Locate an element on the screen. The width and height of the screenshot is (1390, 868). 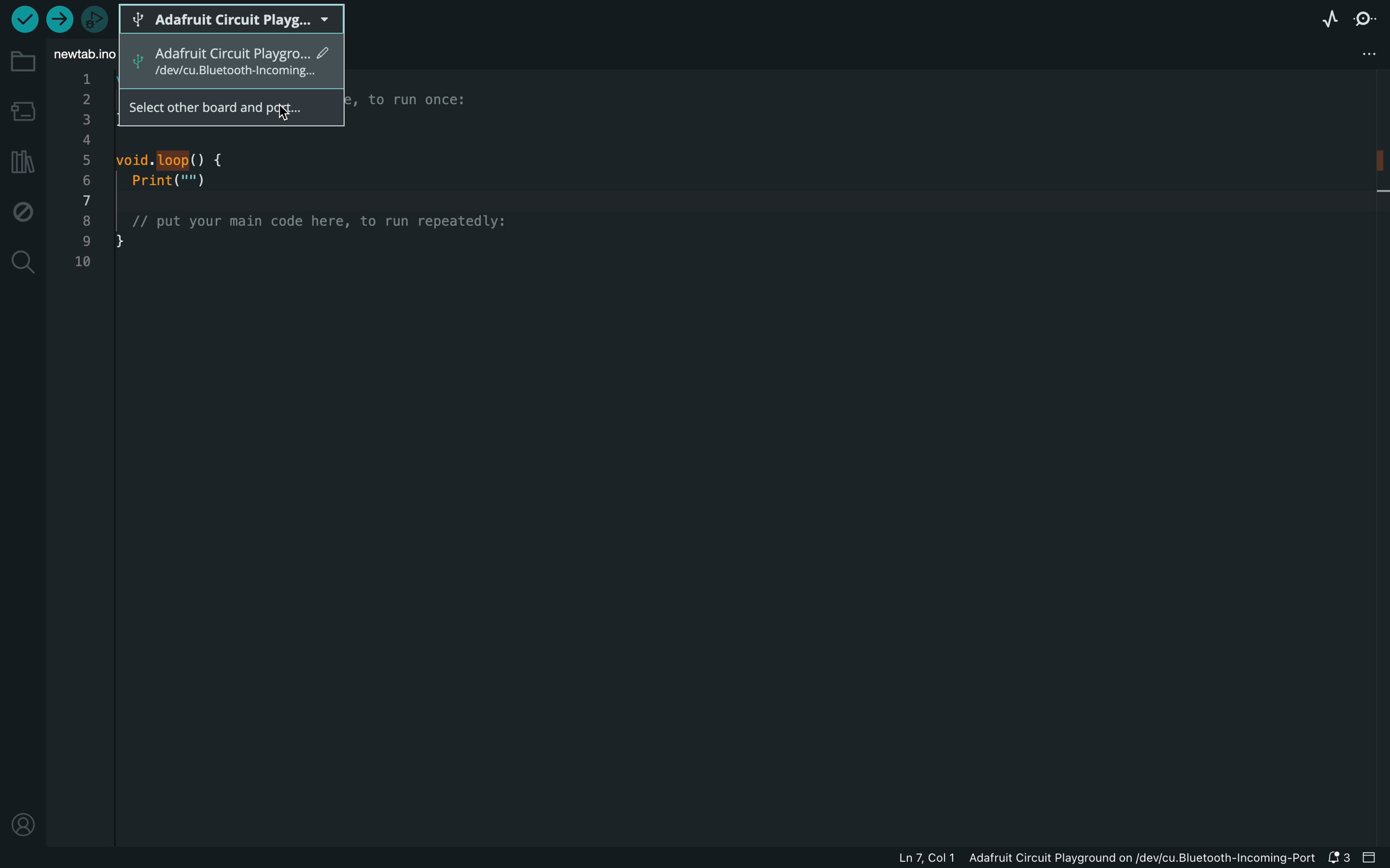
close slide bar is located at coordinates (1375, 858).